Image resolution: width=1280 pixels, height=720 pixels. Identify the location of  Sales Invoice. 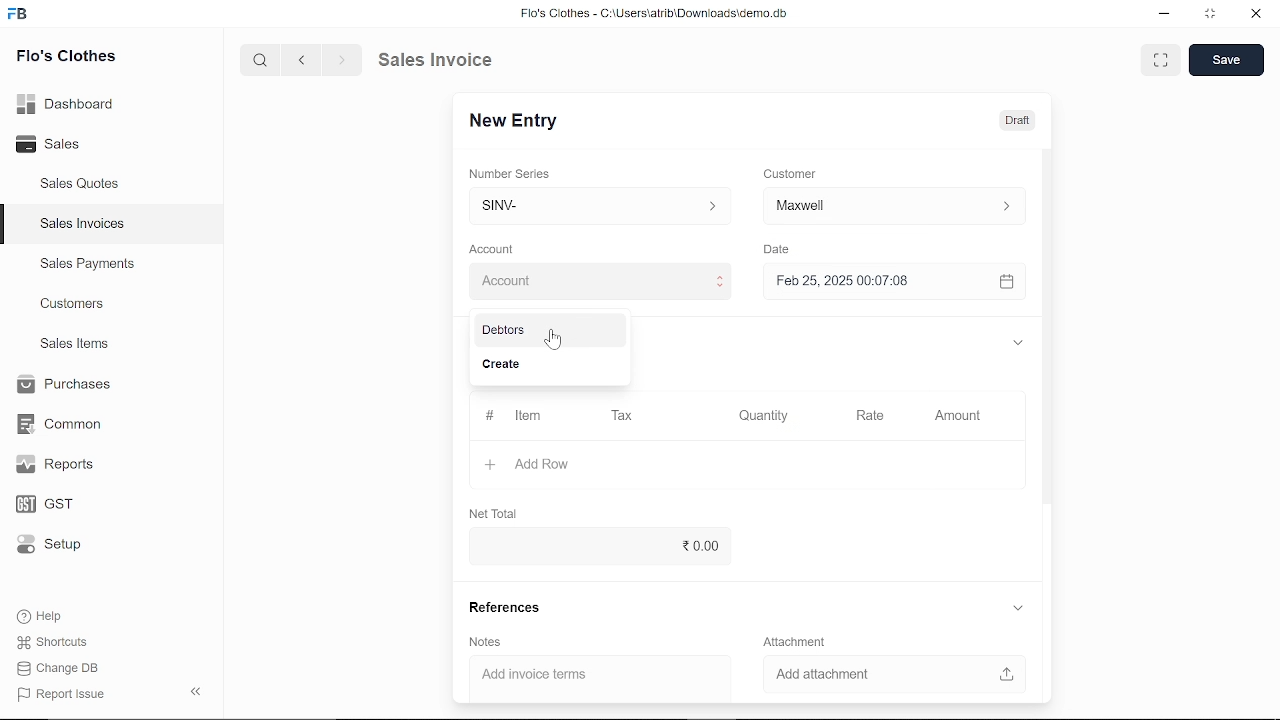
(446, 61).